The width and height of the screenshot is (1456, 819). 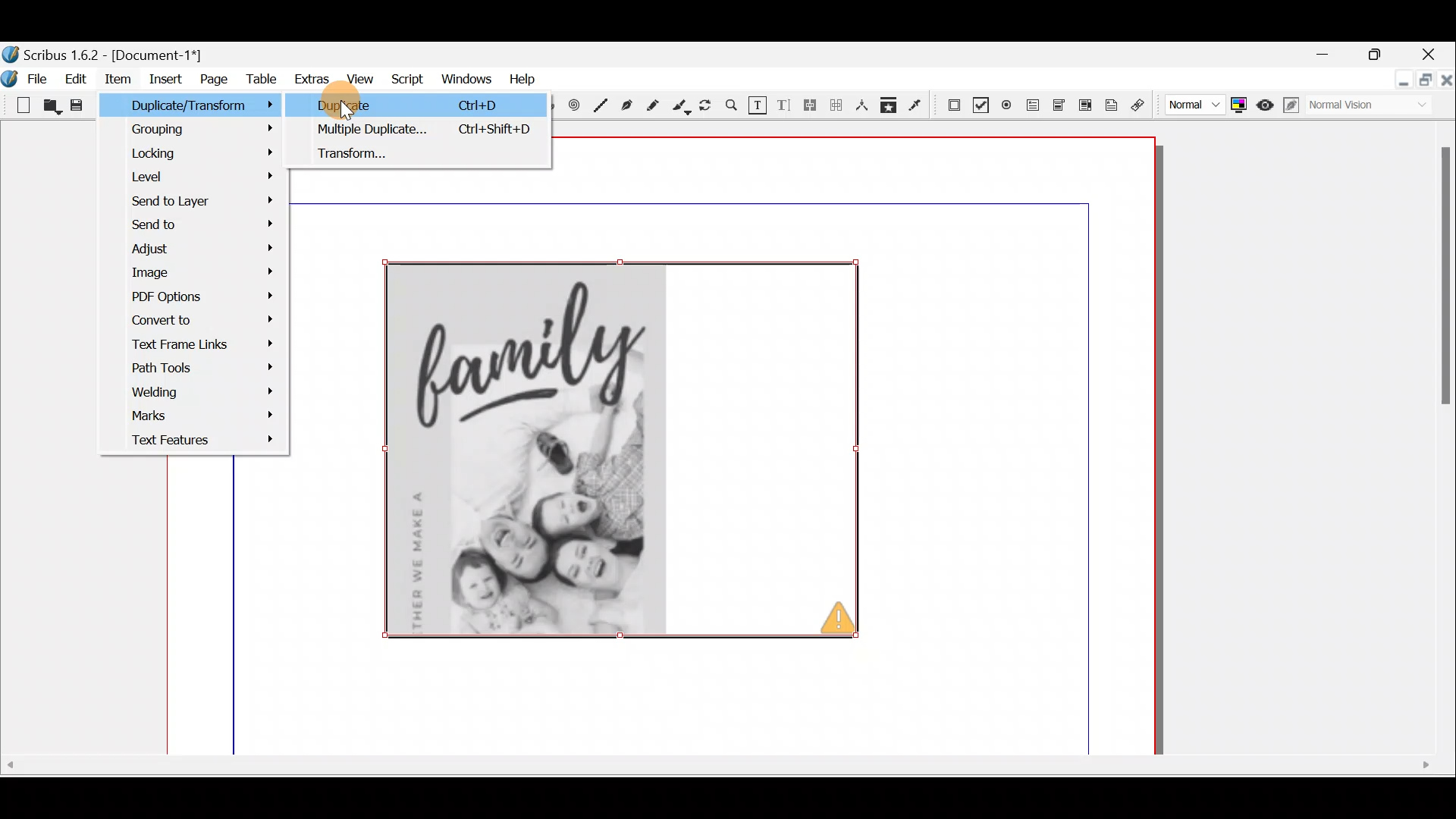 I want to click on Edit in preview mode, so click(x=1294, y=108).